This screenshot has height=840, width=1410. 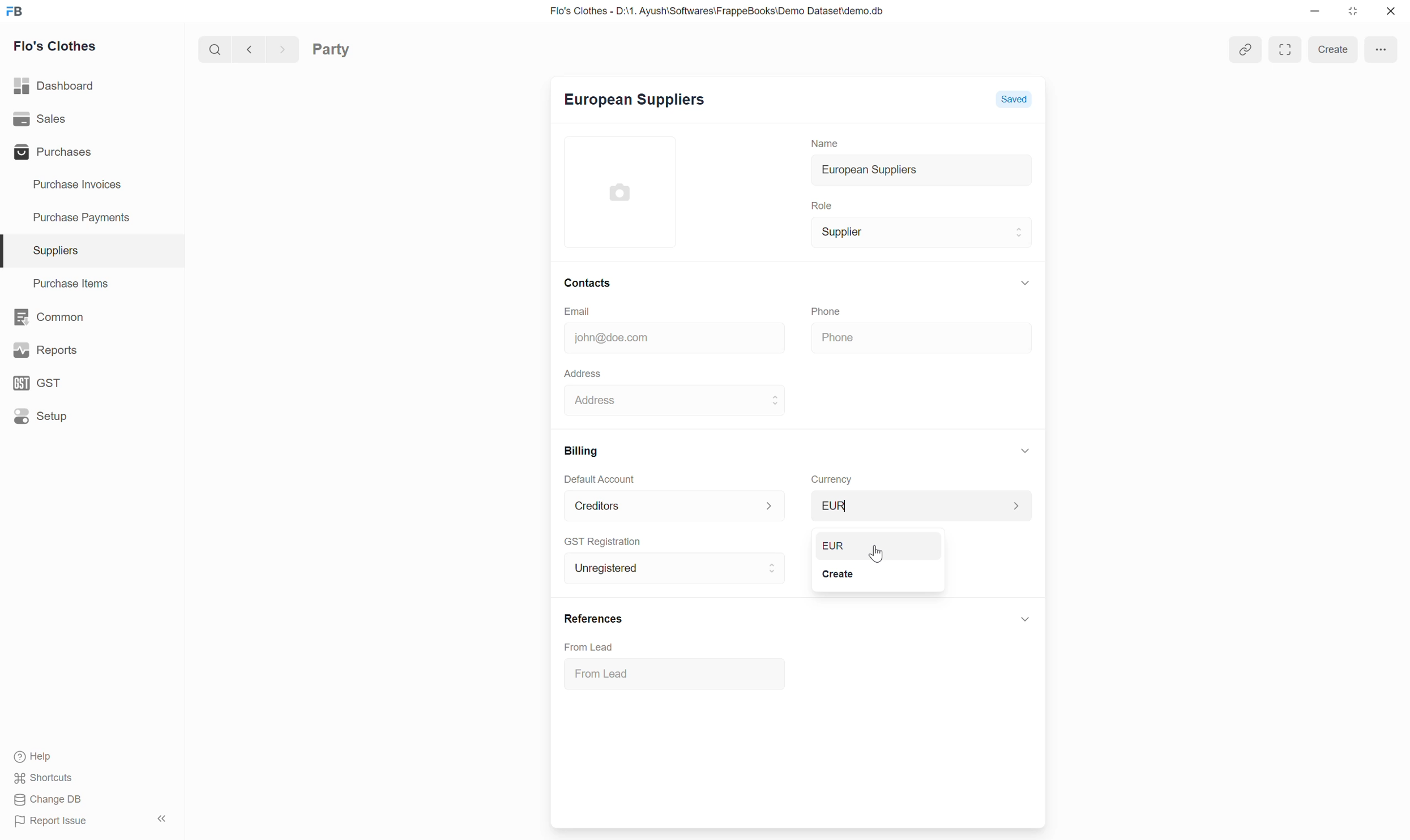 I want to click on Currency, so click(x=828, y=477).